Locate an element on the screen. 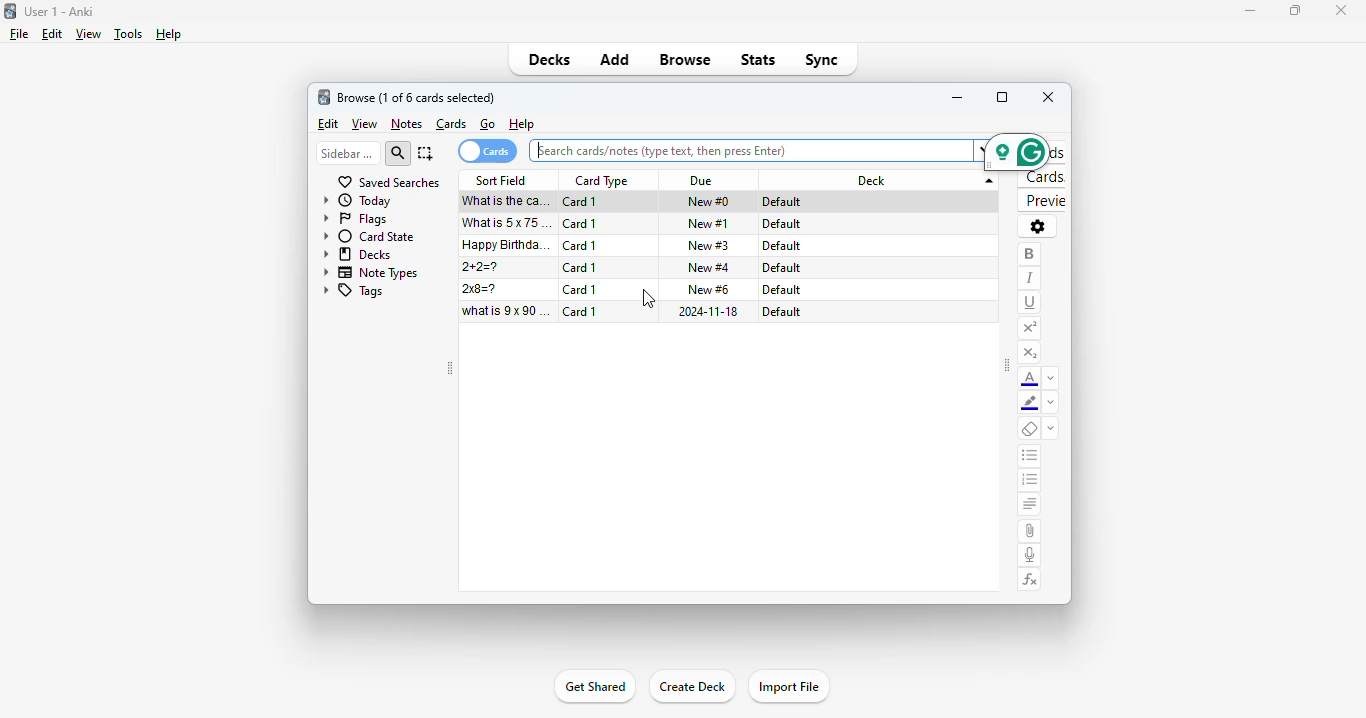  2x8=? is located at coordinates (482, 289).